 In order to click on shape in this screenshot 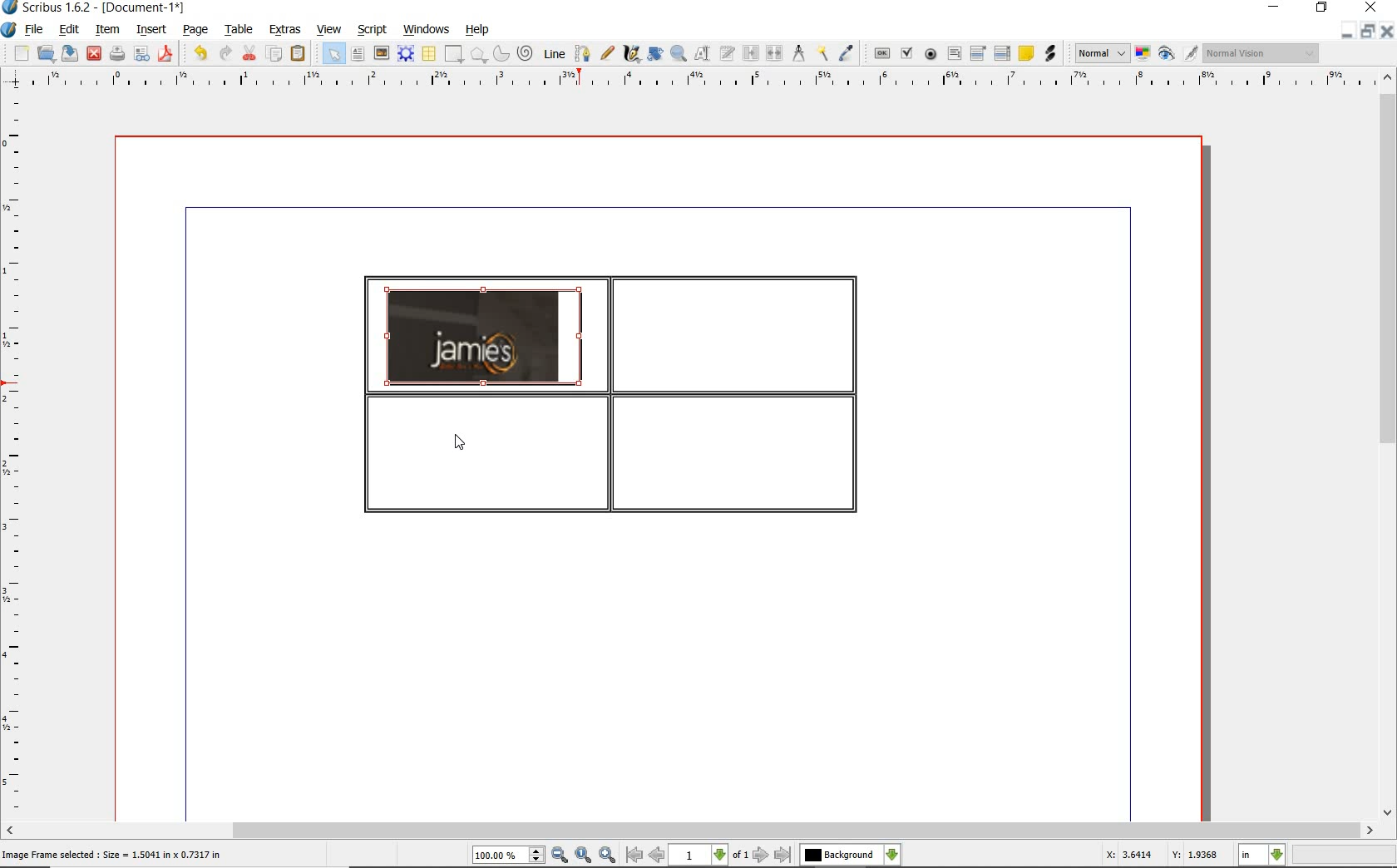, I will do `click(452, 55)`.